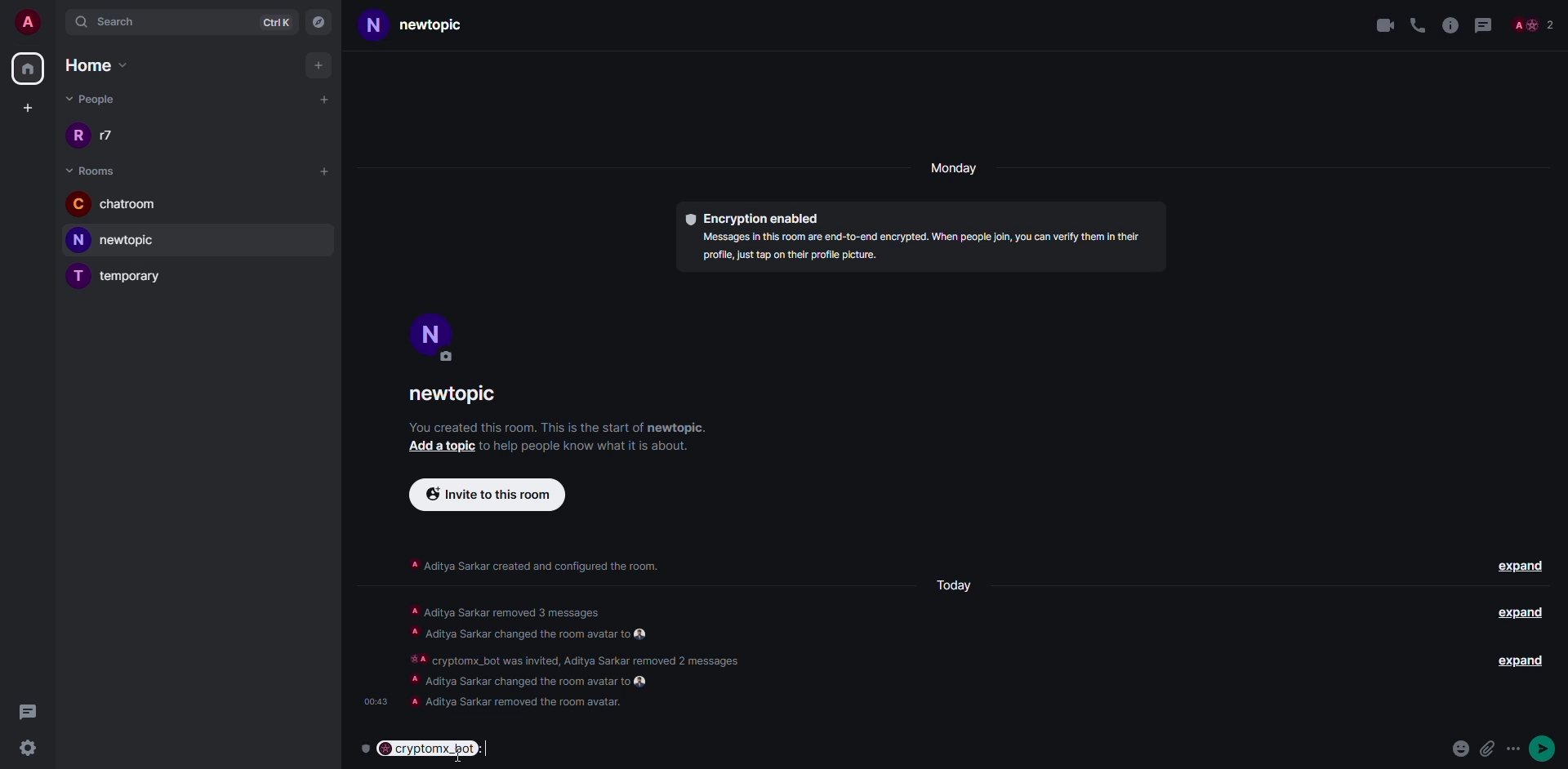 Image resolution: width=1568 pixels, height=769 pixels. Describe the element at coordinates (1418, 23) in the screenshot. I see `voice call` at that location.